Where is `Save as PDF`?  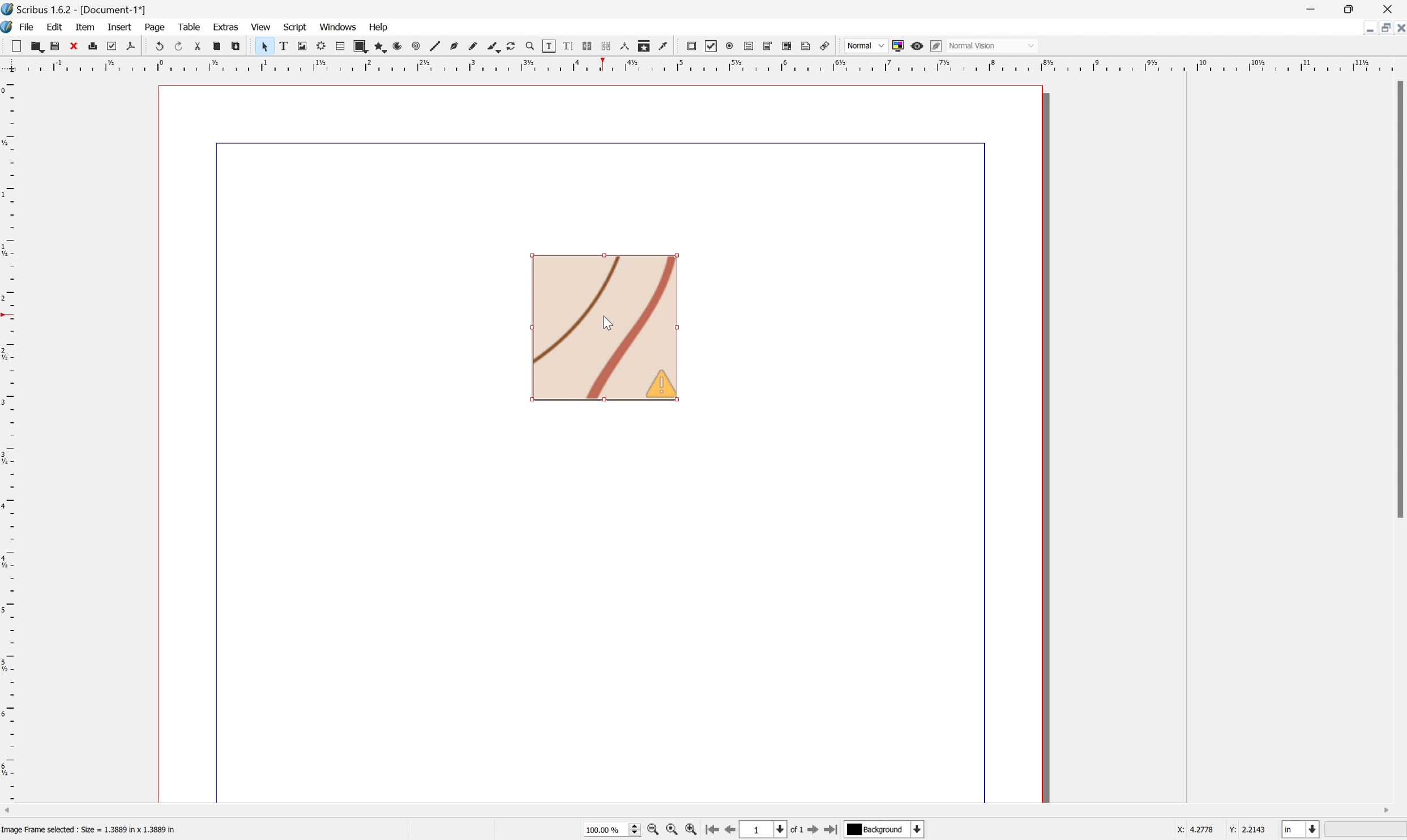
Save as PDF is located at coordinates (131, 45).